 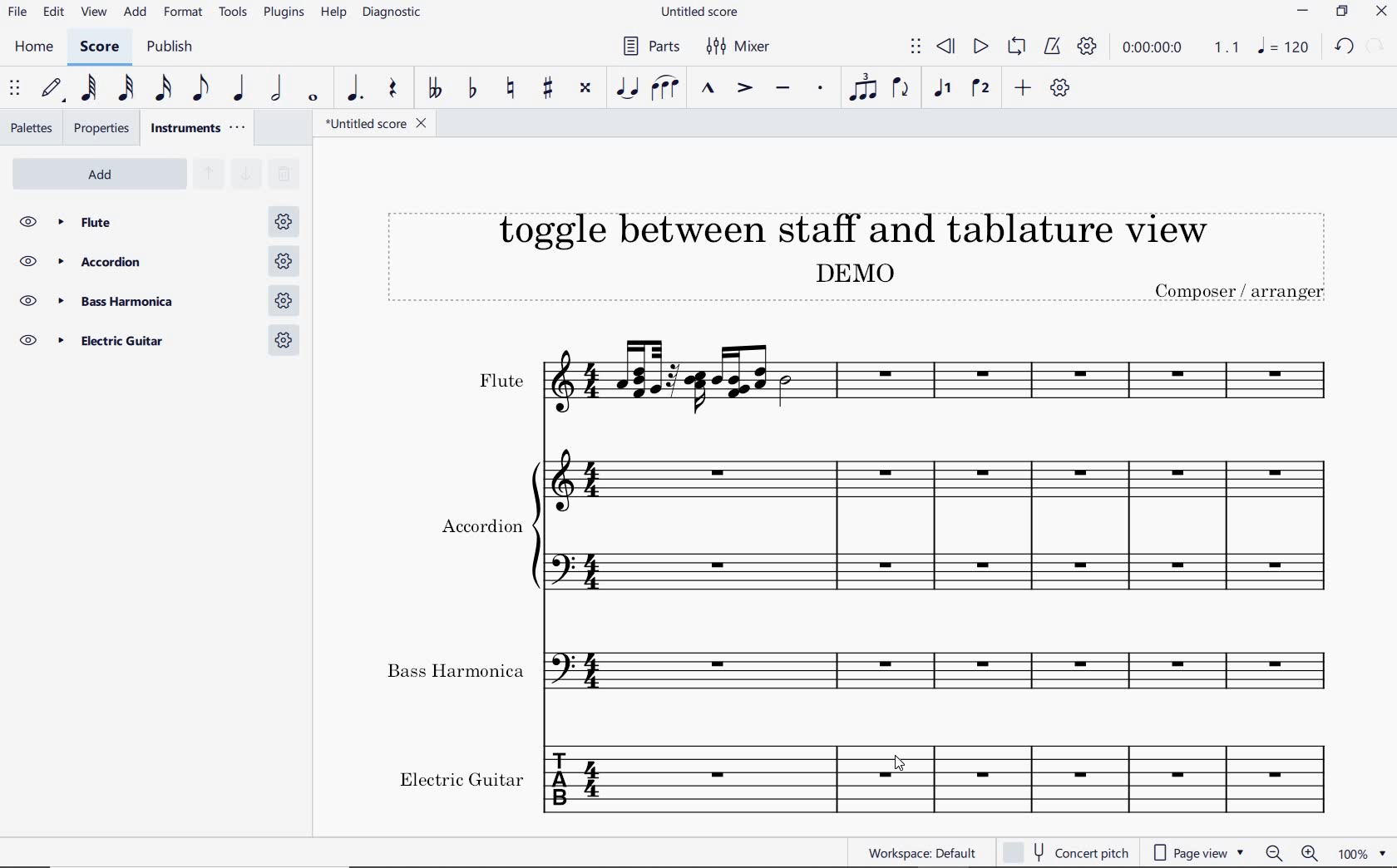 I want to click on publish, so click(x=173, y=48).